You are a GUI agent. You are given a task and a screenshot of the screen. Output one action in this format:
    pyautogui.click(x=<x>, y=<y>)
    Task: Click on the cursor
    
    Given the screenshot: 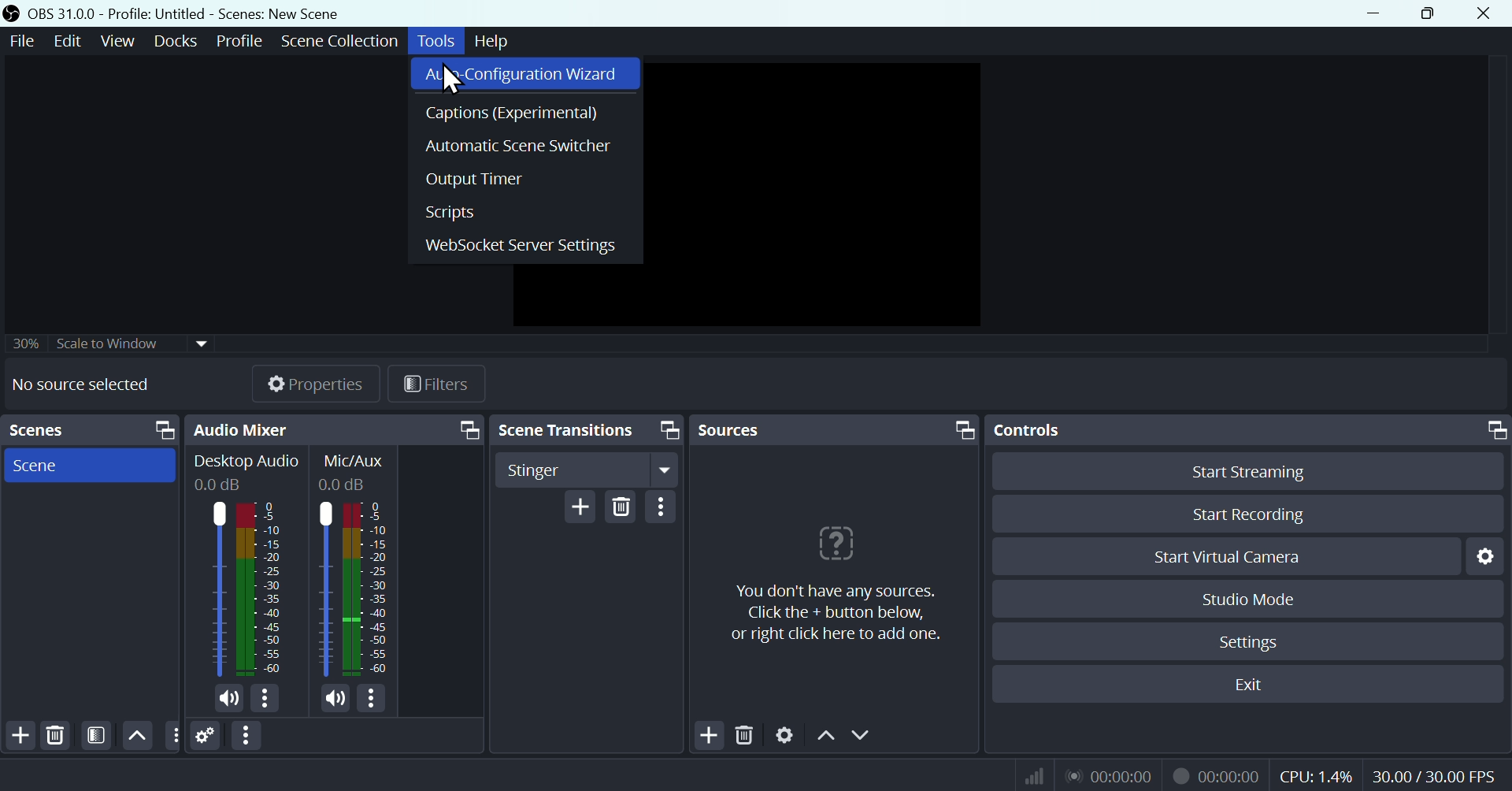 What is the action you would take?
    pyautogui.click(x=454, y=80)
    